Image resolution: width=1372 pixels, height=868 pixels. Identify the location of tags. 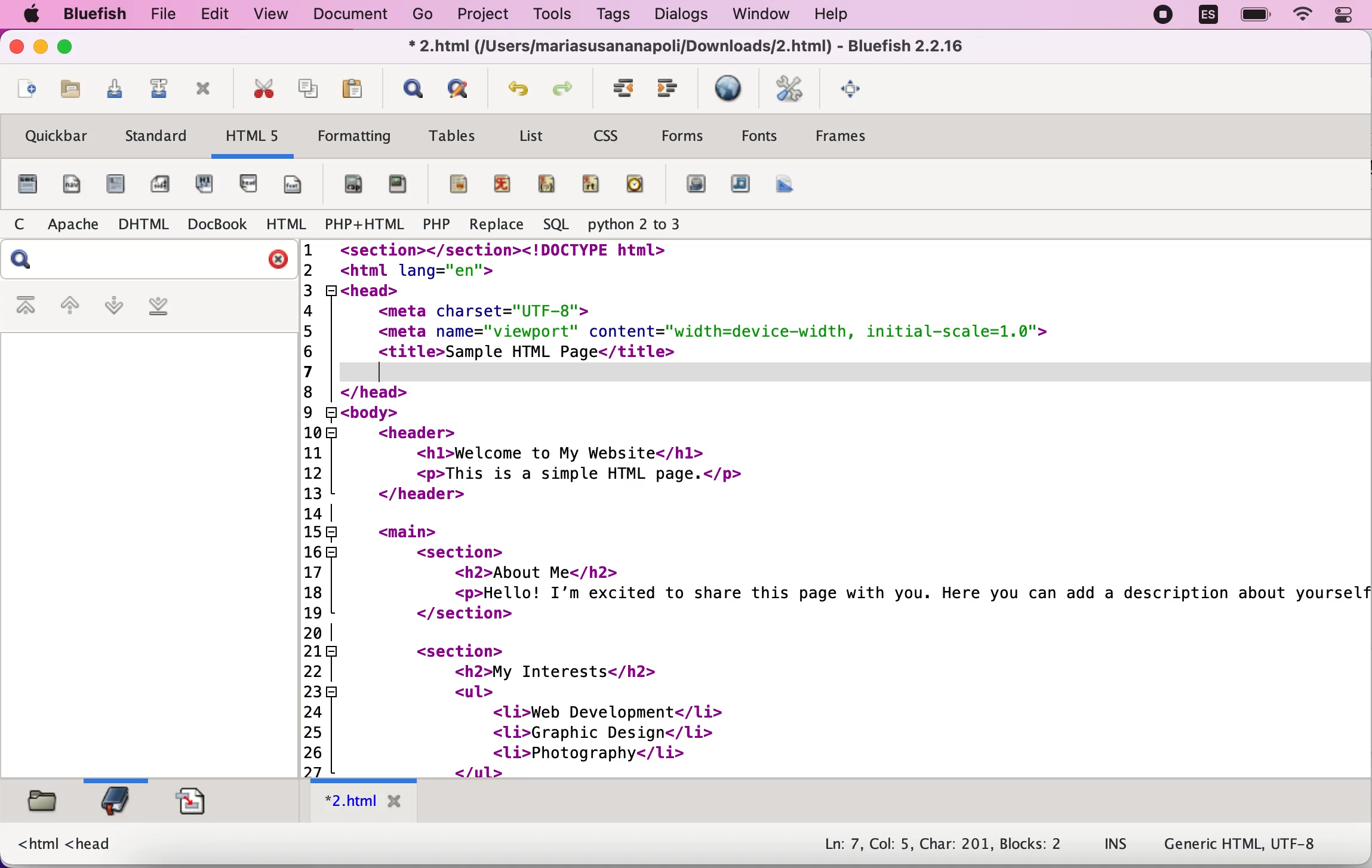
(621, 16).